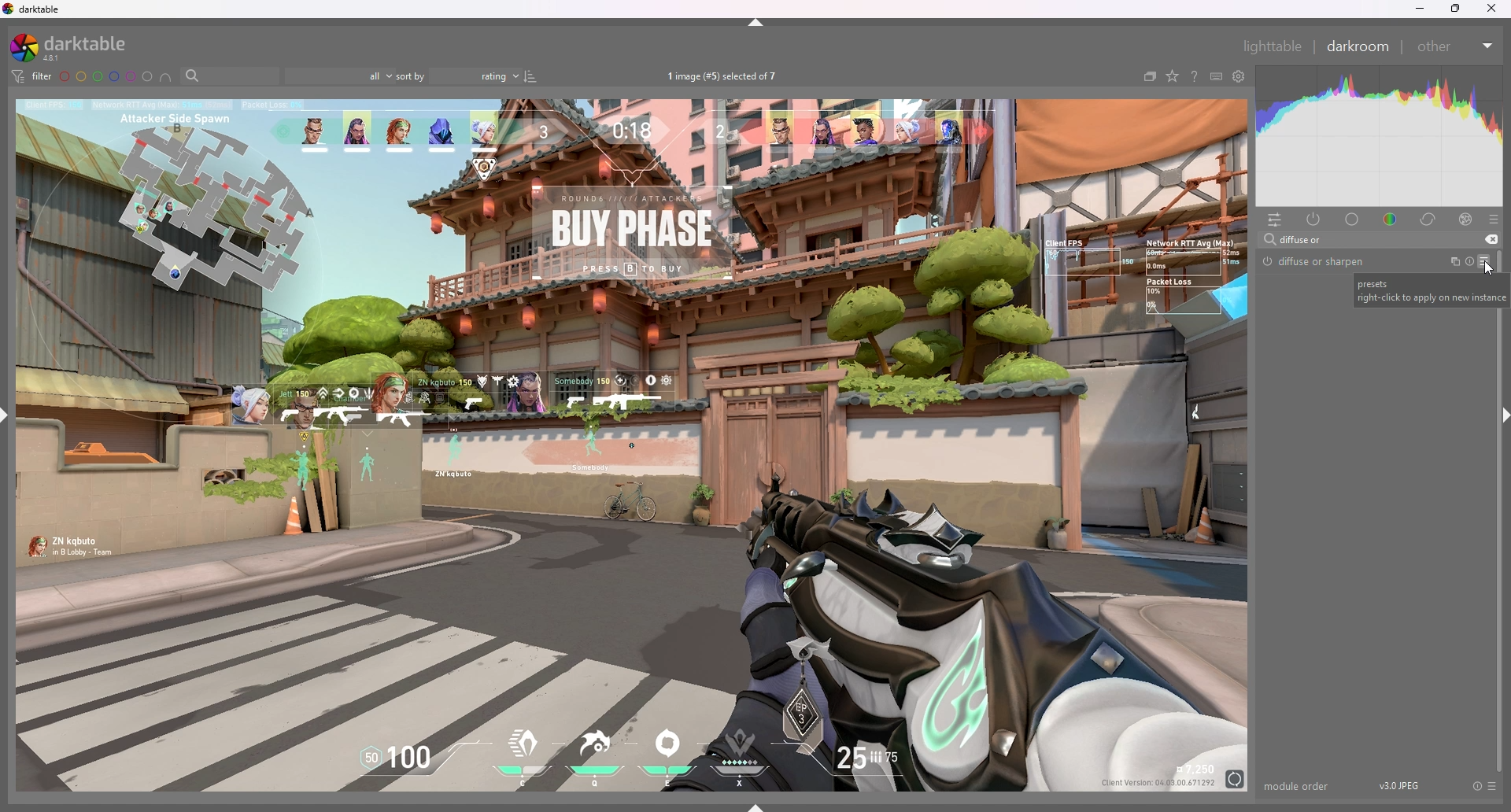 The image size is (1511, 812). Describe the element at coordinates (31, 76) in the screenshot. I see `filter` at that location.